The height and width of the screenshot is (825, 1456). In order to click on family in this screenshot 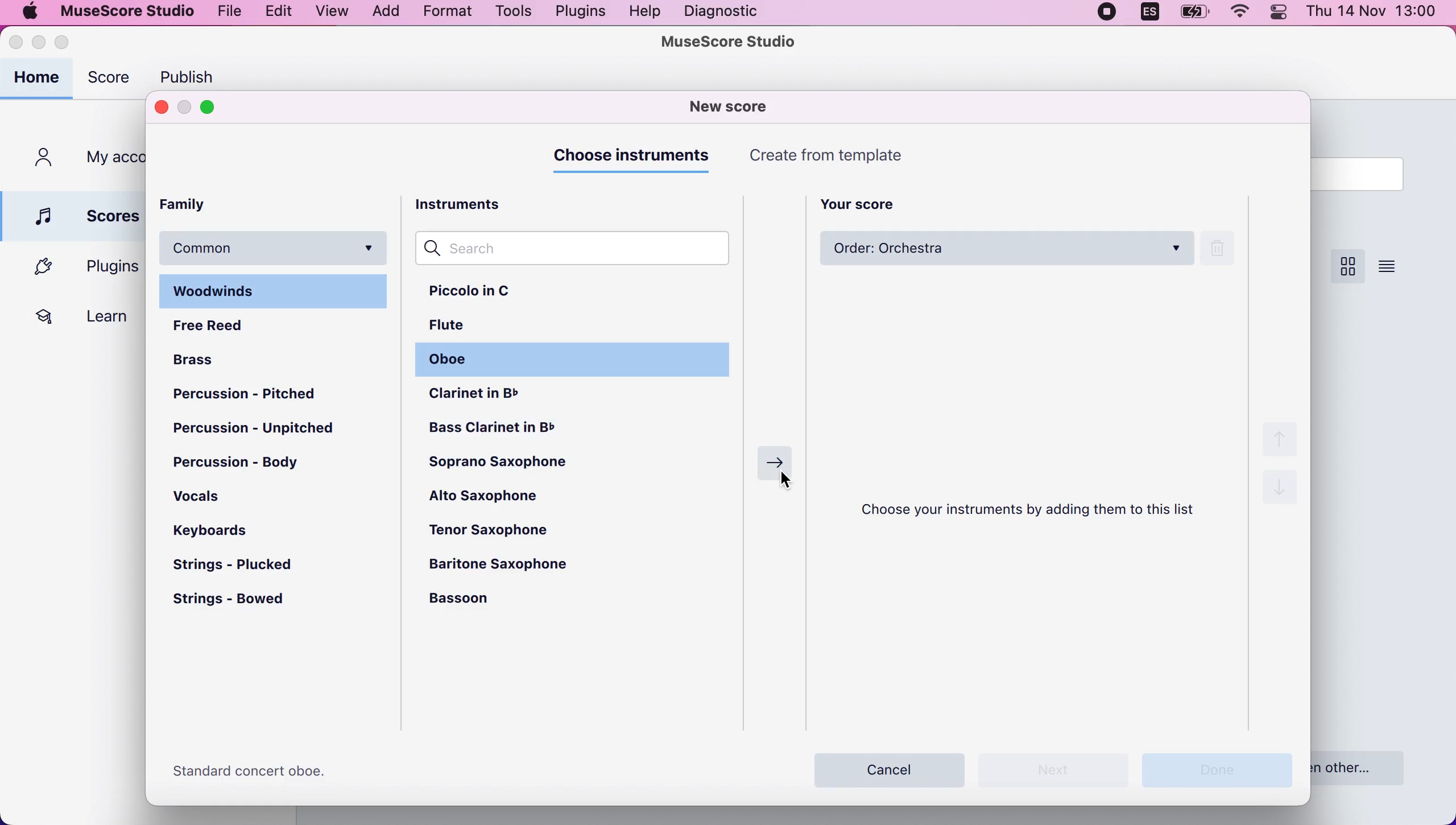, I will do `click(193, 204)`.